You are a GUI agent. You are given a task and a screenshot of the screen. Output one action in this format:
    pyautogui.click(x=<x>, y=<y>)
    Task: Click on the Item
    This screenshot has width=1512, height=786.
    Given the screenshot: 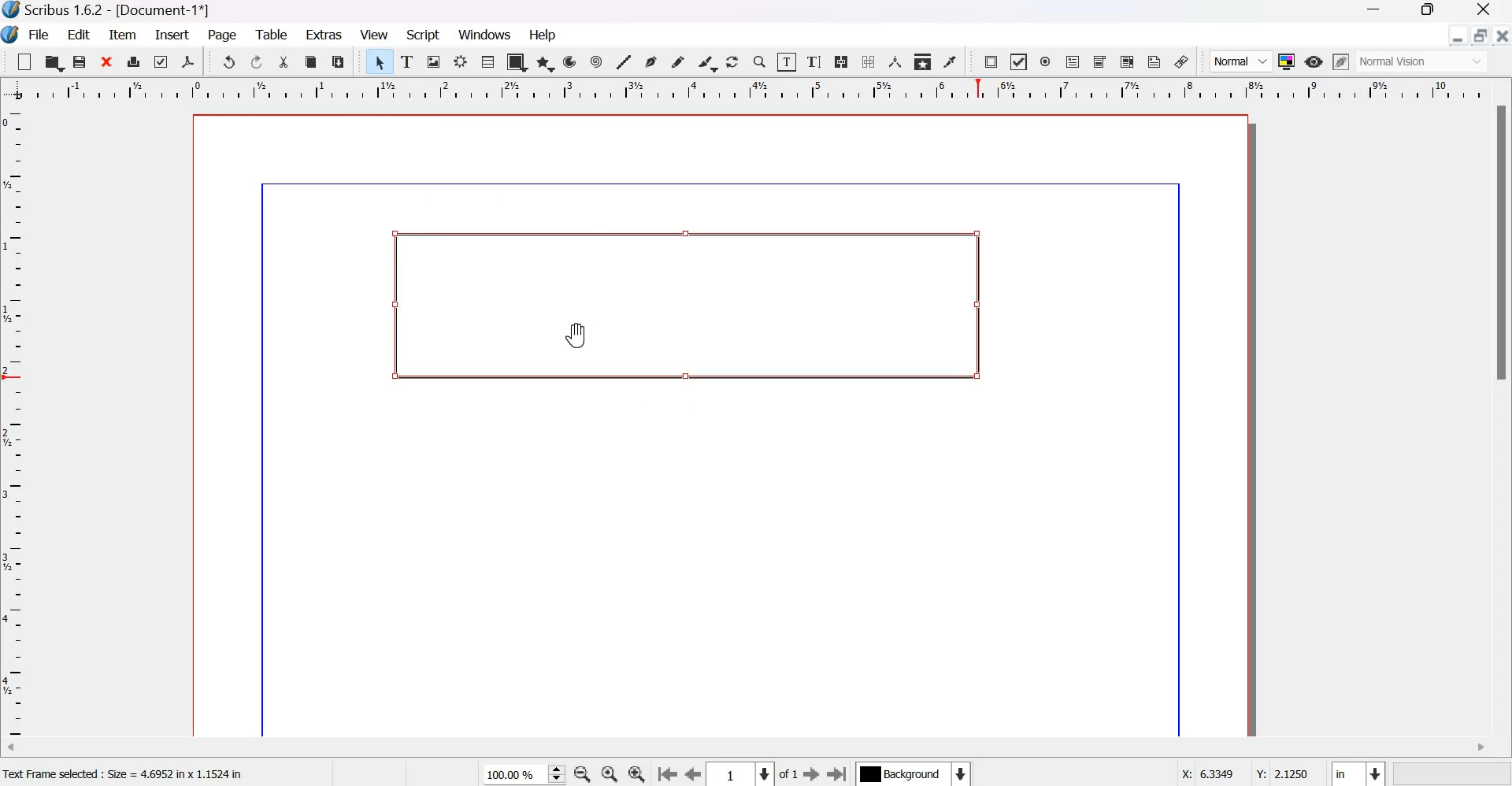 What is the action you would take?
    pyautogui.click(x=123, y=35)
    